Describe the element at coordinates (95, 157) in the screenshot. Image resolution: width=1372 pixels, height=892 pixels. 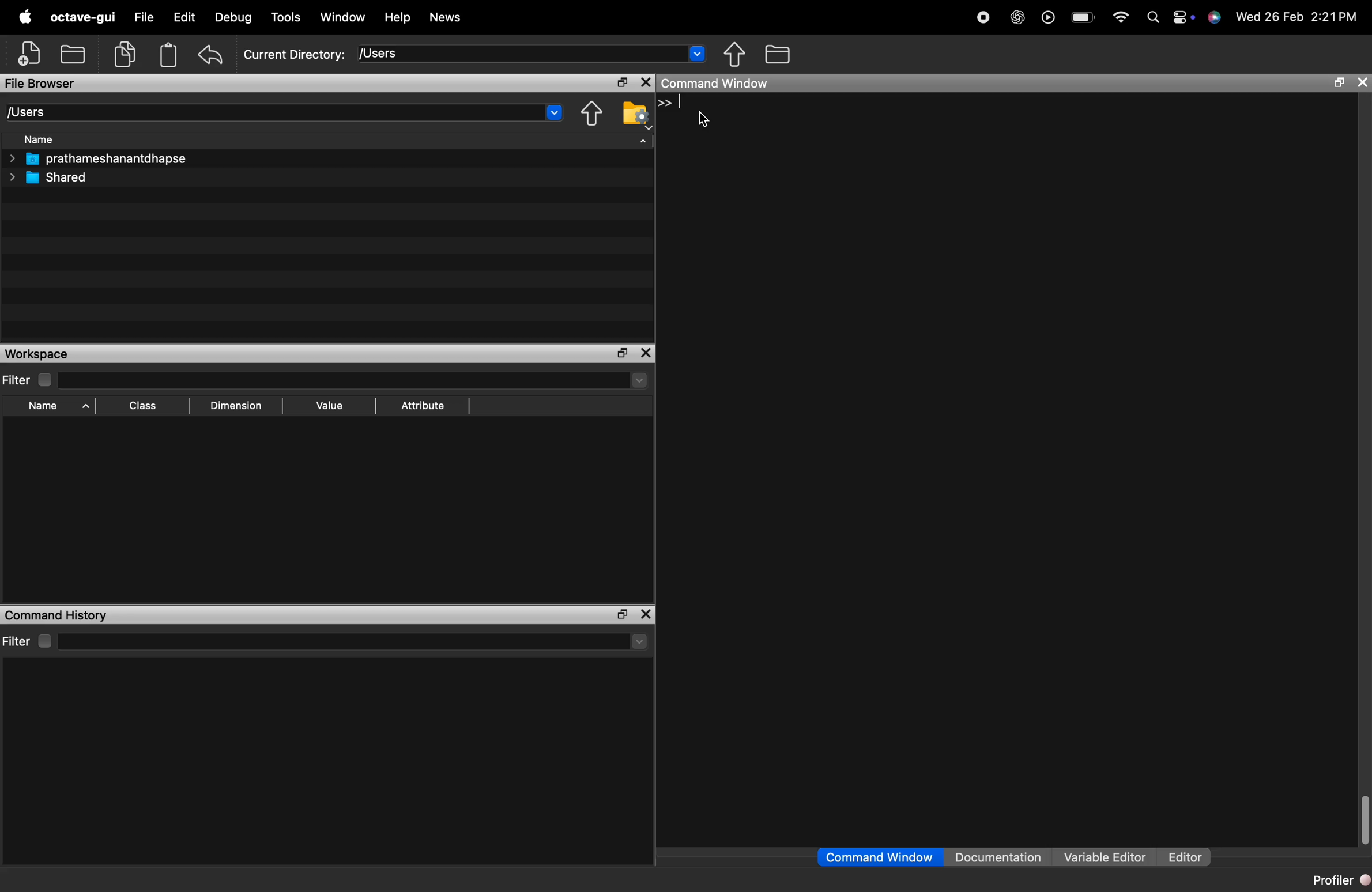
I see `prathameshanantdhapse` at that location.